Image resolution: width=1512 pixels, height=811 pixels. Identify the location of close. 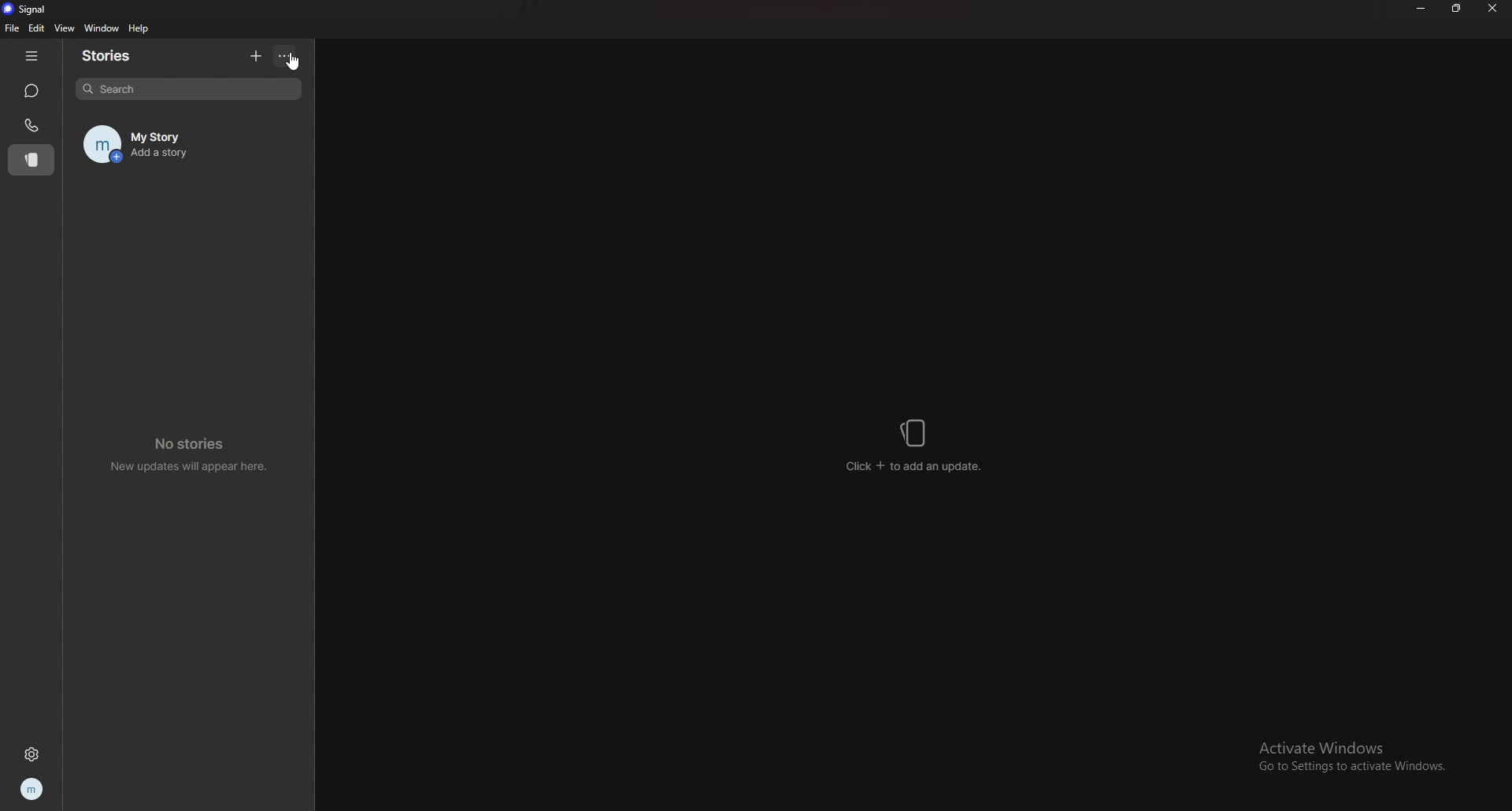
(1494, 9).